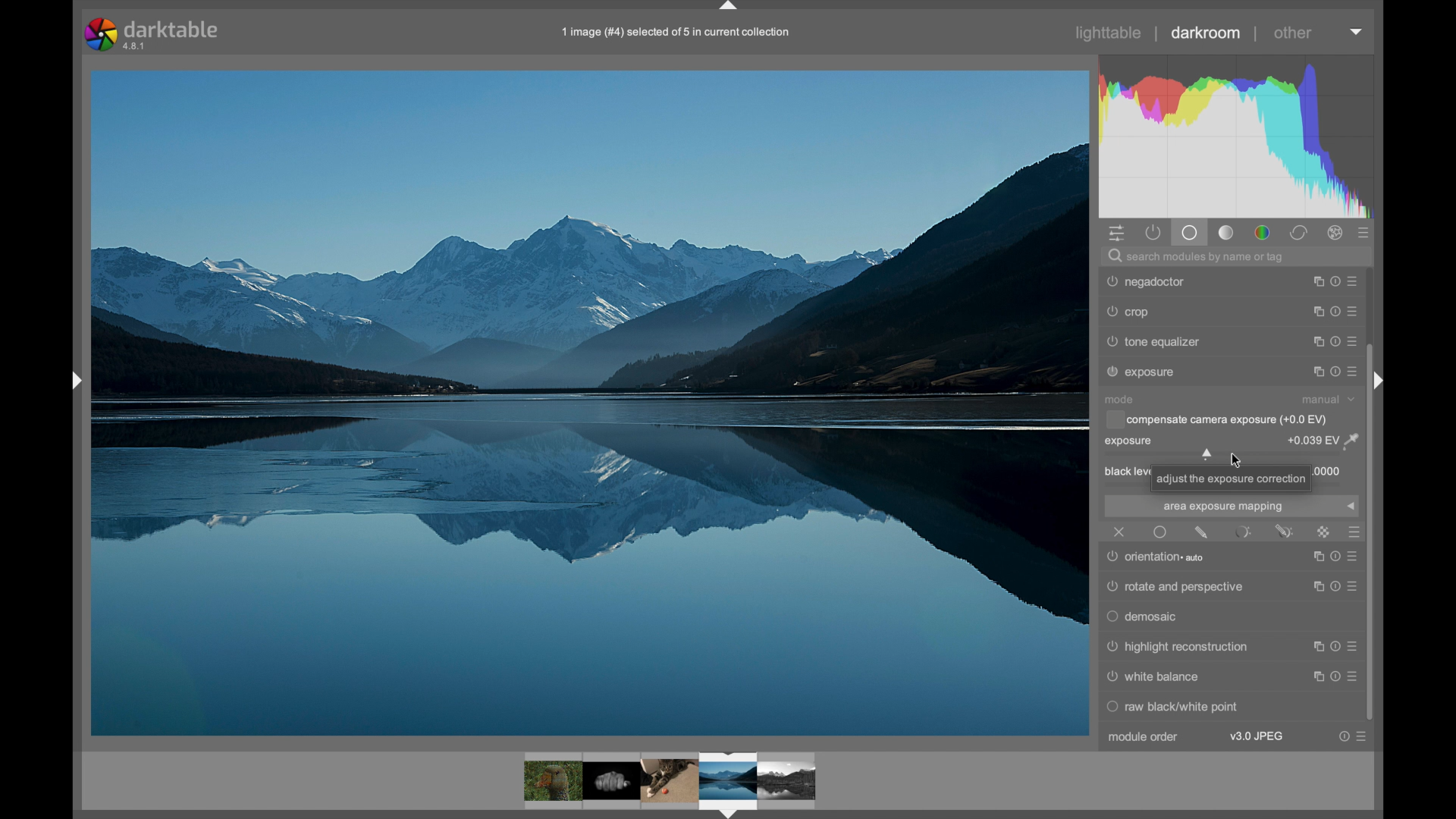 Image resolution: width=1456 pixels, height=819 pixels. What do you see at coordinates (670, 783) in the screenshot?
I see `photos` at bounding box center [670, 783].